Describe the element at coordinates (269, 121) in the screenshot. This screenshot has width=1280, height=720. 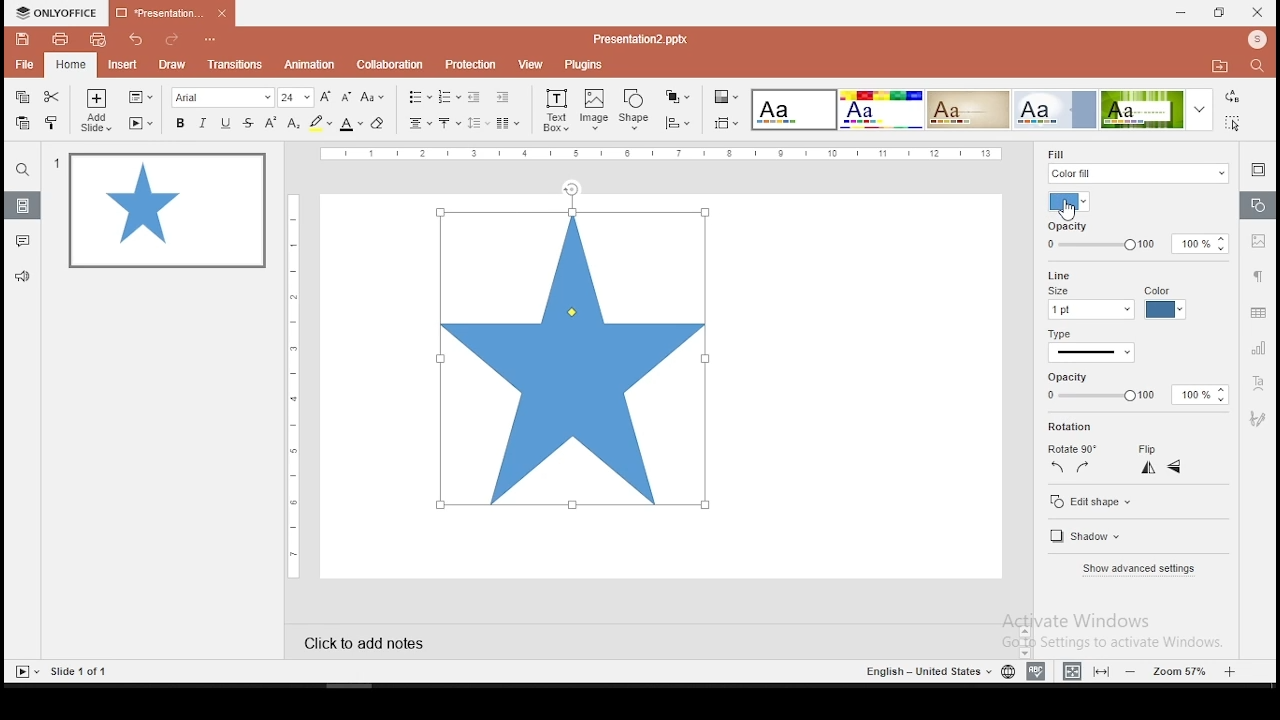
I see `superscript` at that location.